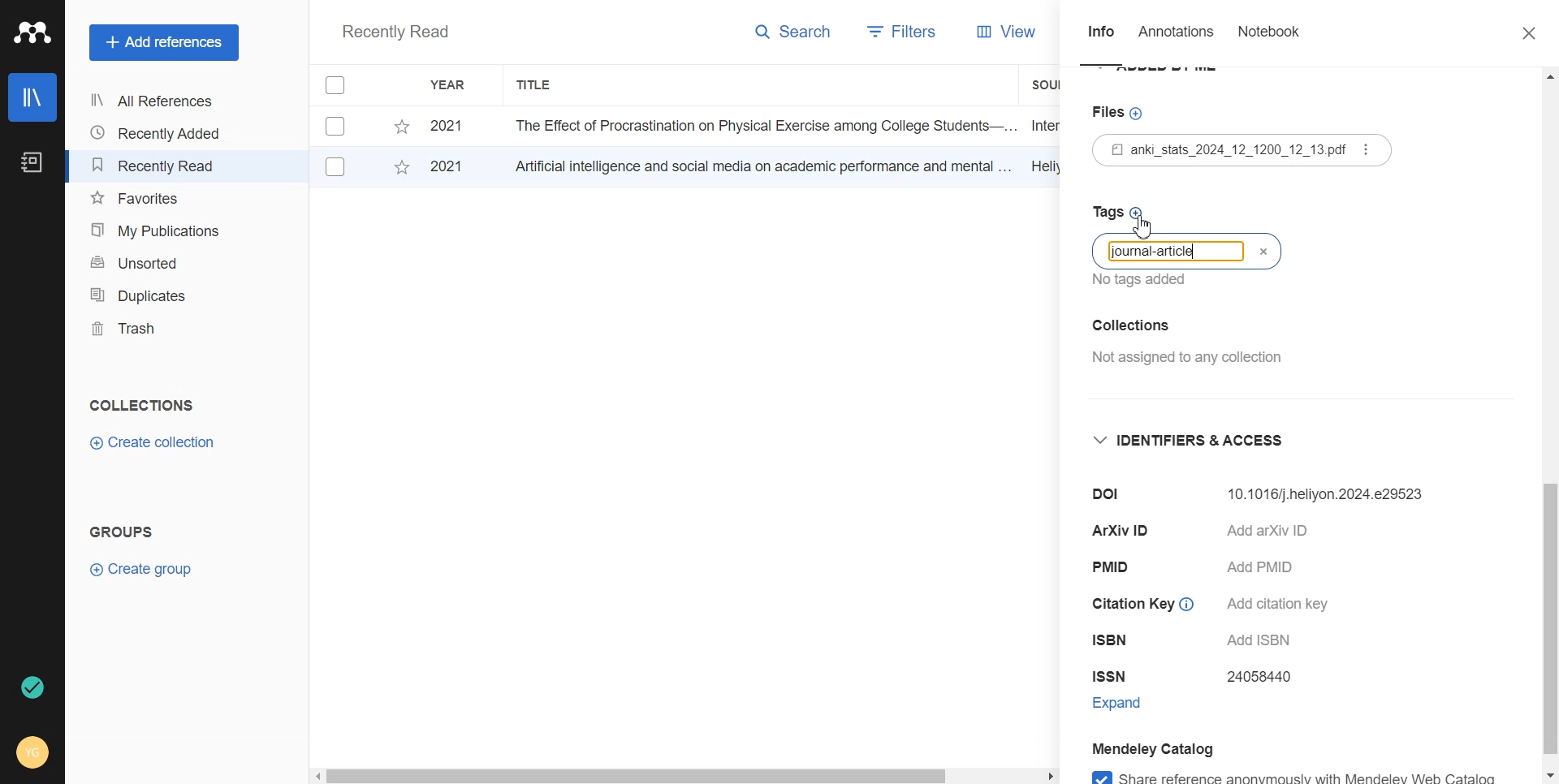  What do you see at coordinates (535, 85) in the screenshot?
I see `Title` at bounding box center [535, 85].